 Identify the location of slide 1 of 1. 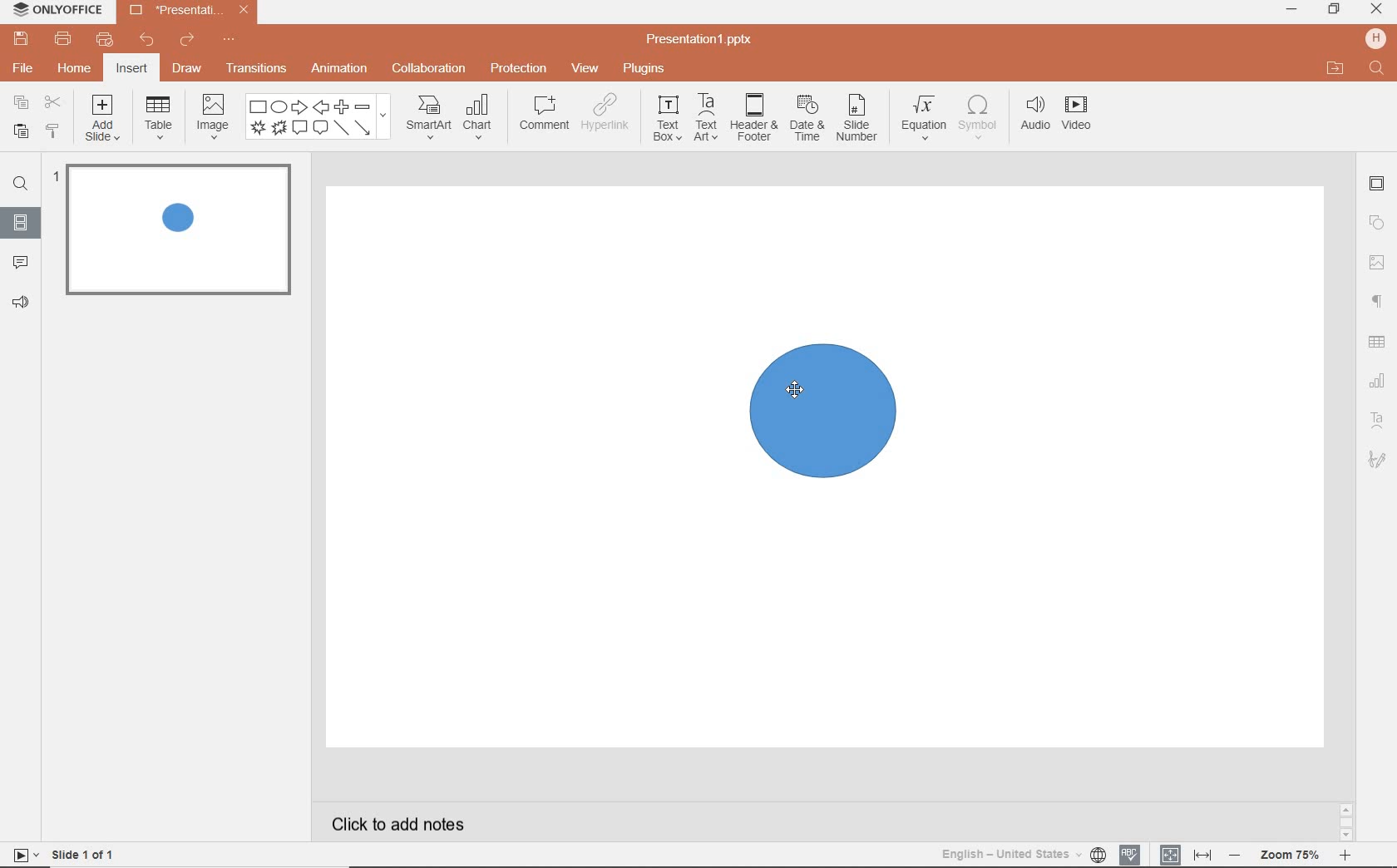
(84, 853).